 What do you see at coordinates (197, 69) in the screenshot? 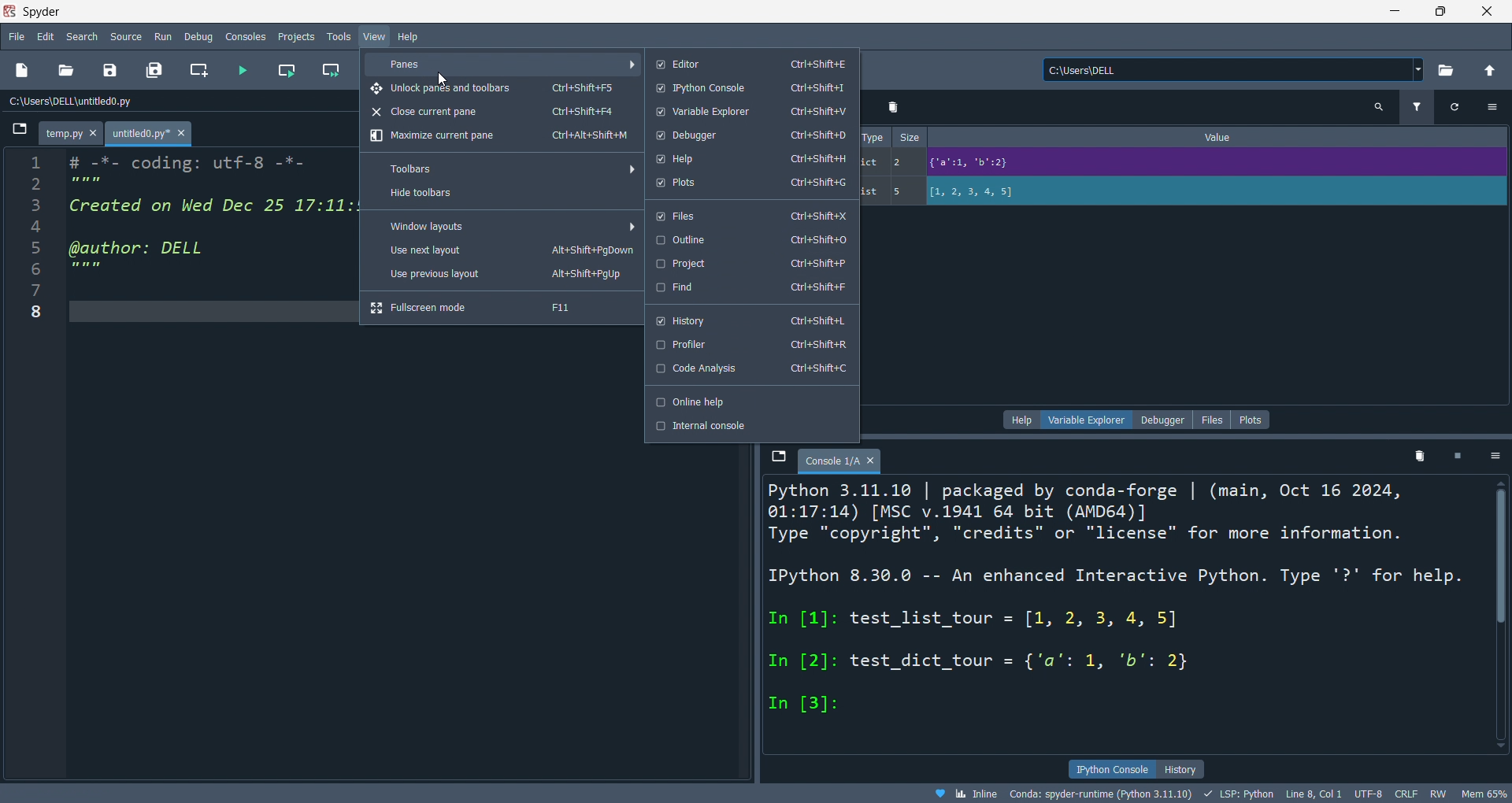
I see `new cell` at bounding box center [197, 69].